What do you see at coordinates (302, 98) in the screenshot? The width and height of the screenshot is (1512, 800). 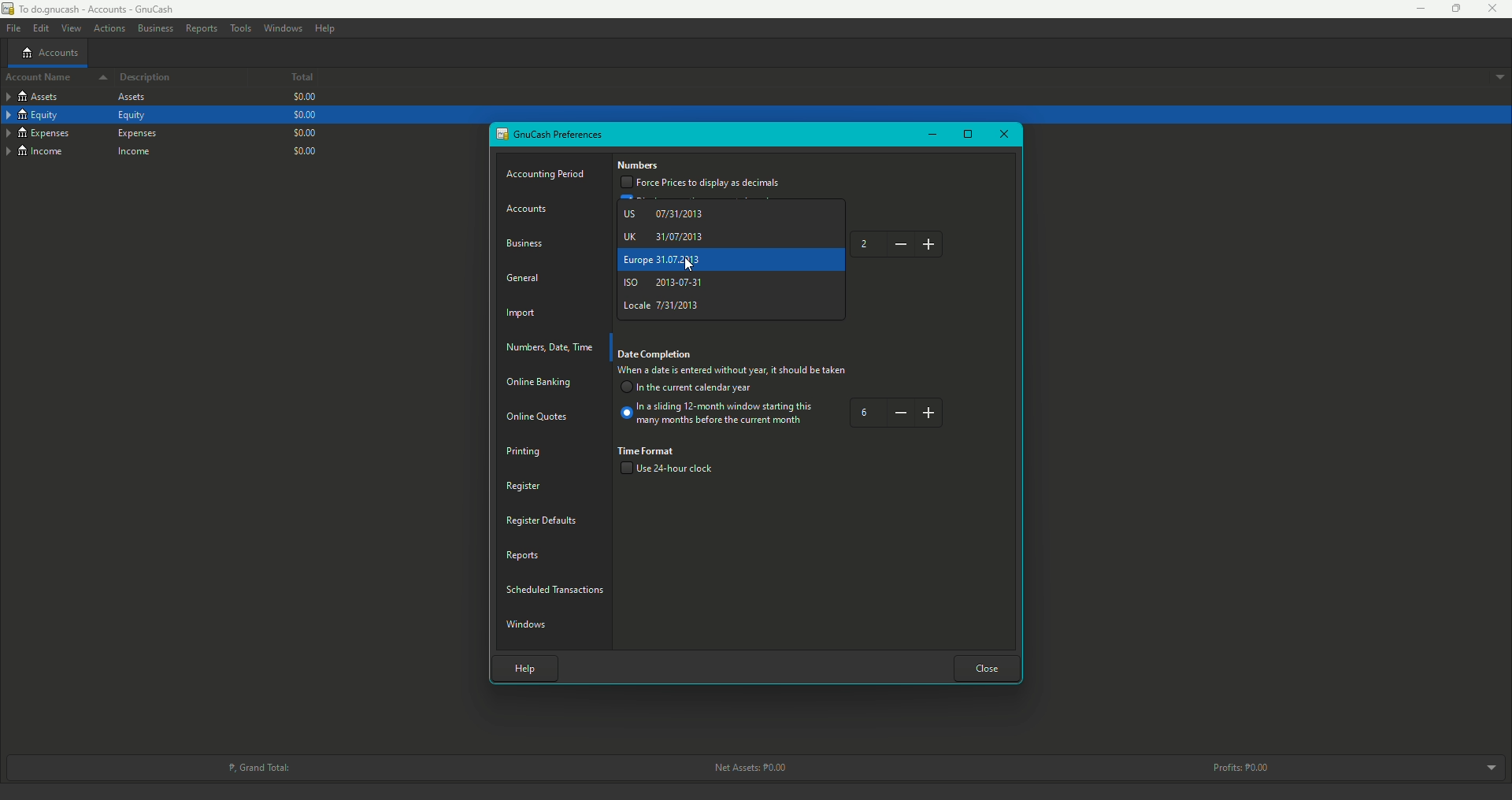 I see `$0` at bounding box center [302, 98].